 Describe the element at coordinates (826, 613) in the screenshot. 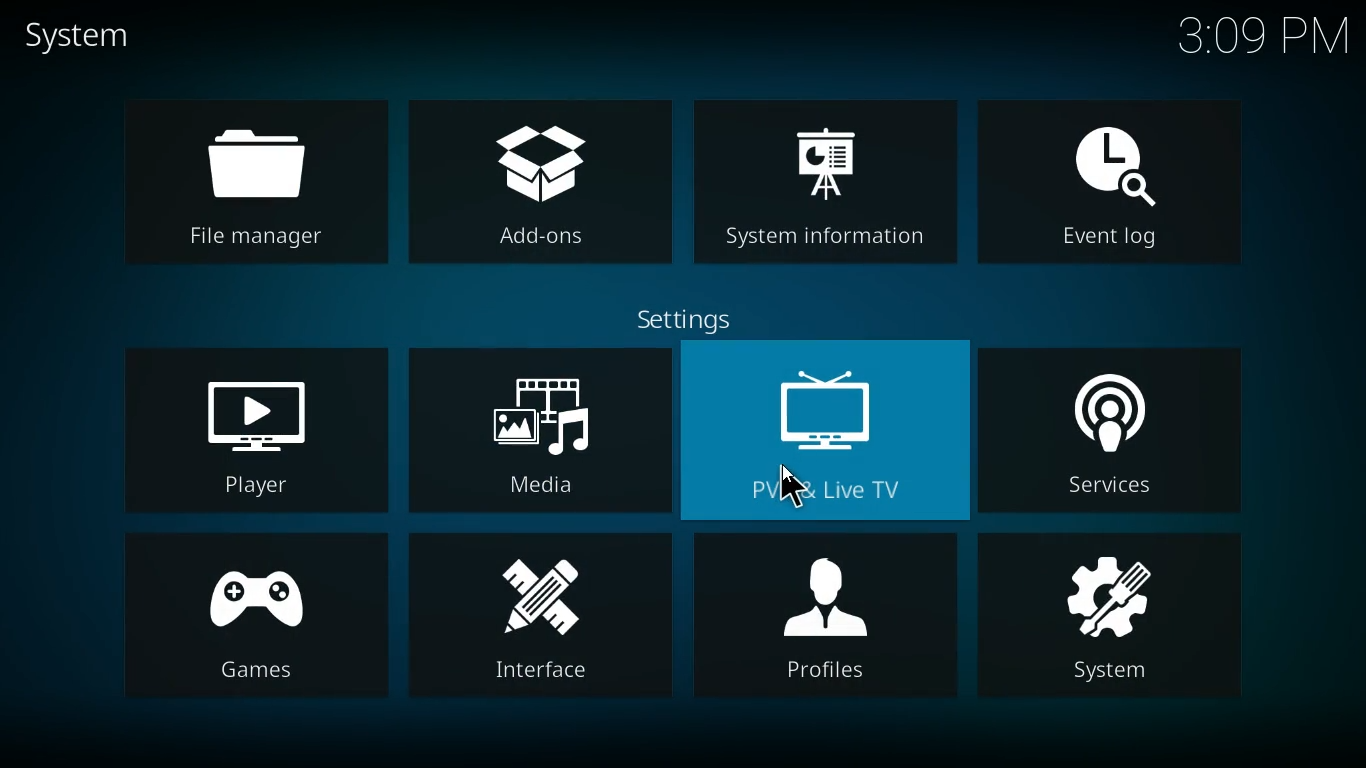

I see `profiles` at that location.